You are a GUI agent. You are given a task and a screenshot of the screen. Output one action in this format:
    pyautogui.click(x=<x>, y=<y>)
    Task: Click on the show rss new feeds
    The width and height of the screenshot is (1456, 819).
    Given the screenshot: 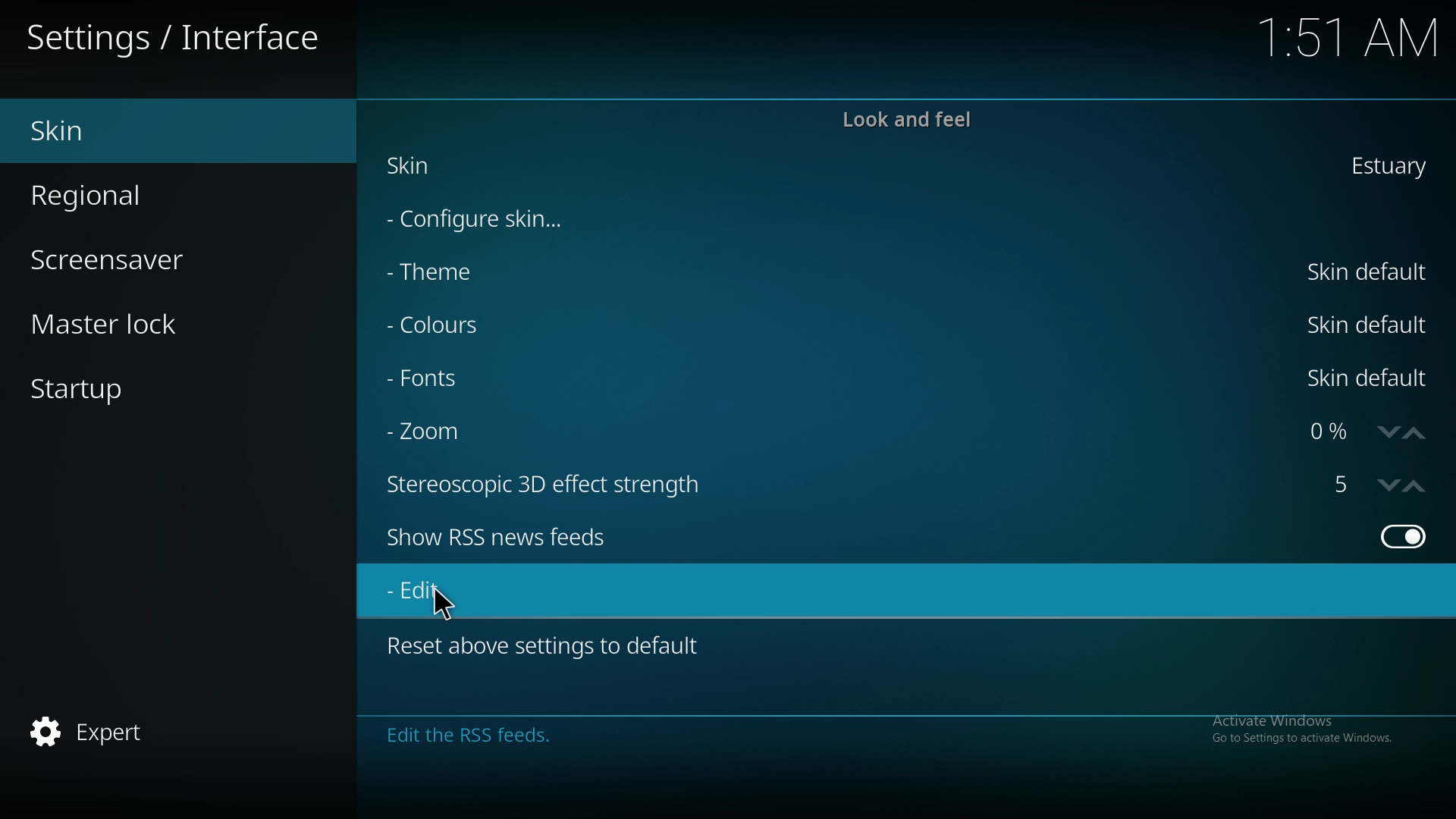 What is the action you would take?
    pyautogui.click(x=523, y=536)
    